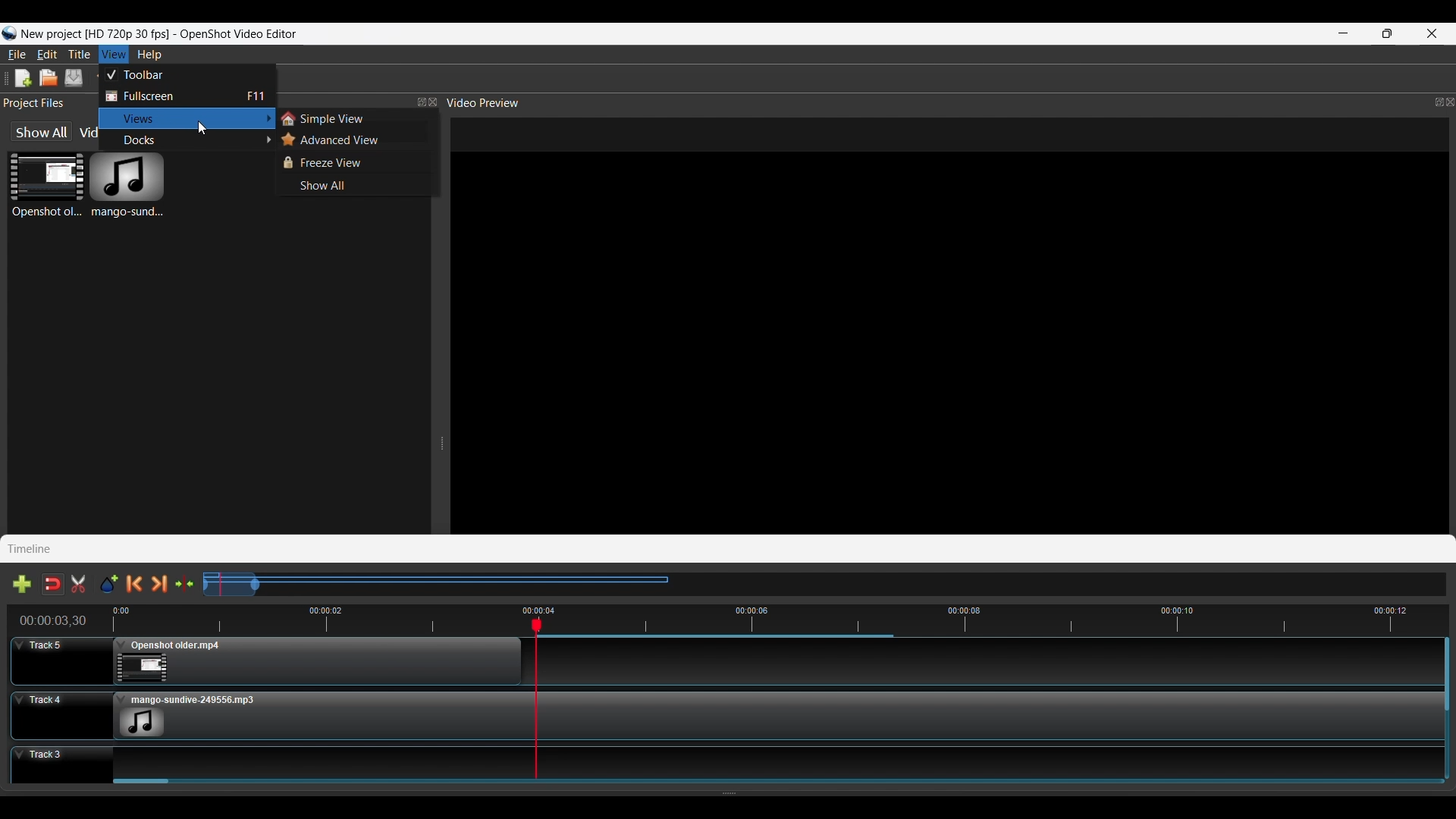 The width and height of the screenshot is (1456, 819). Describe the element at coordinates (160, 584) in the screenshot. I see `Next Marker` at that location.